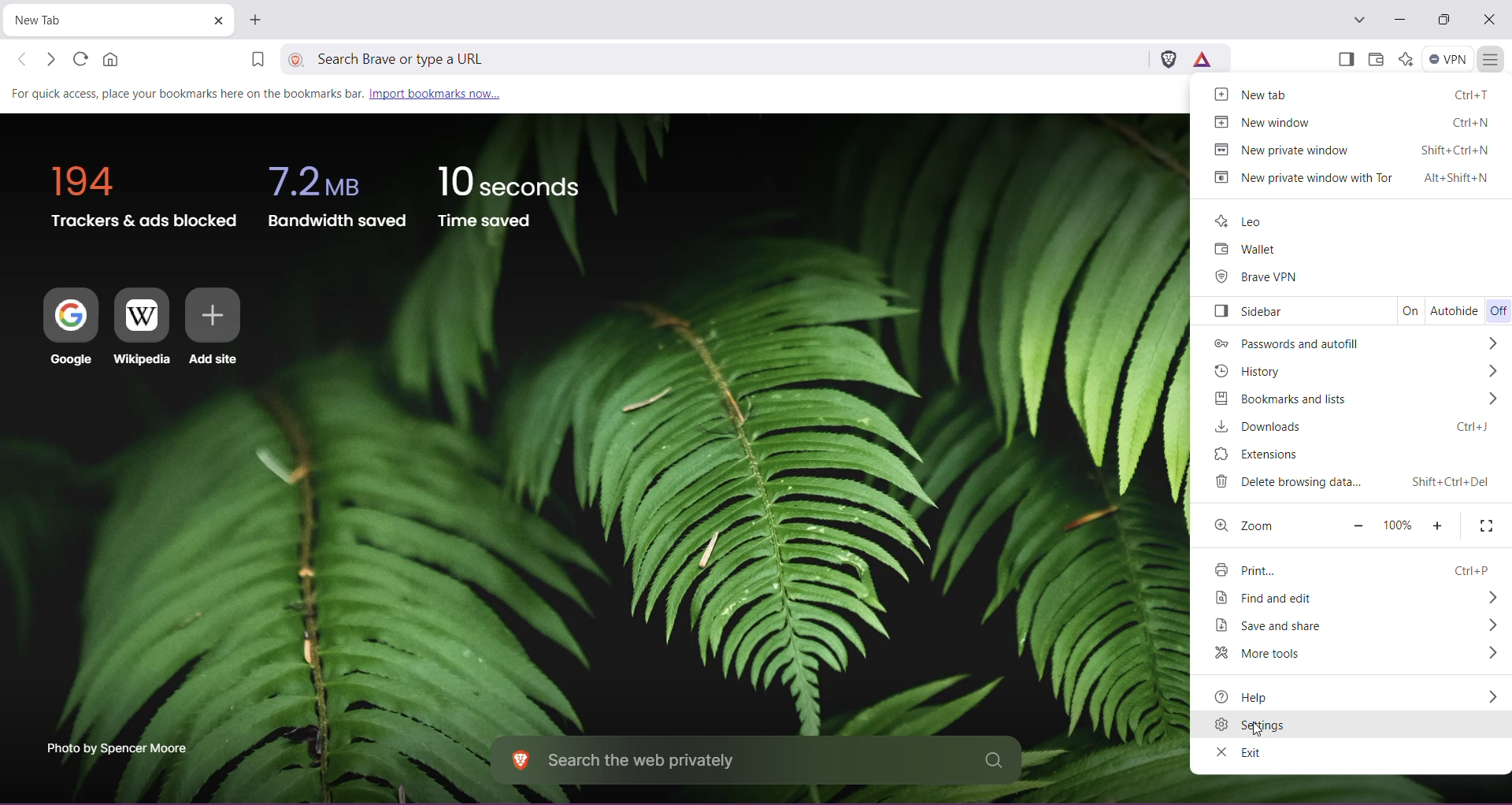 The image size is (1512, 805). Describe the element at coordinates (99, 22) in the screenshot. I see `New Tab` at that location.